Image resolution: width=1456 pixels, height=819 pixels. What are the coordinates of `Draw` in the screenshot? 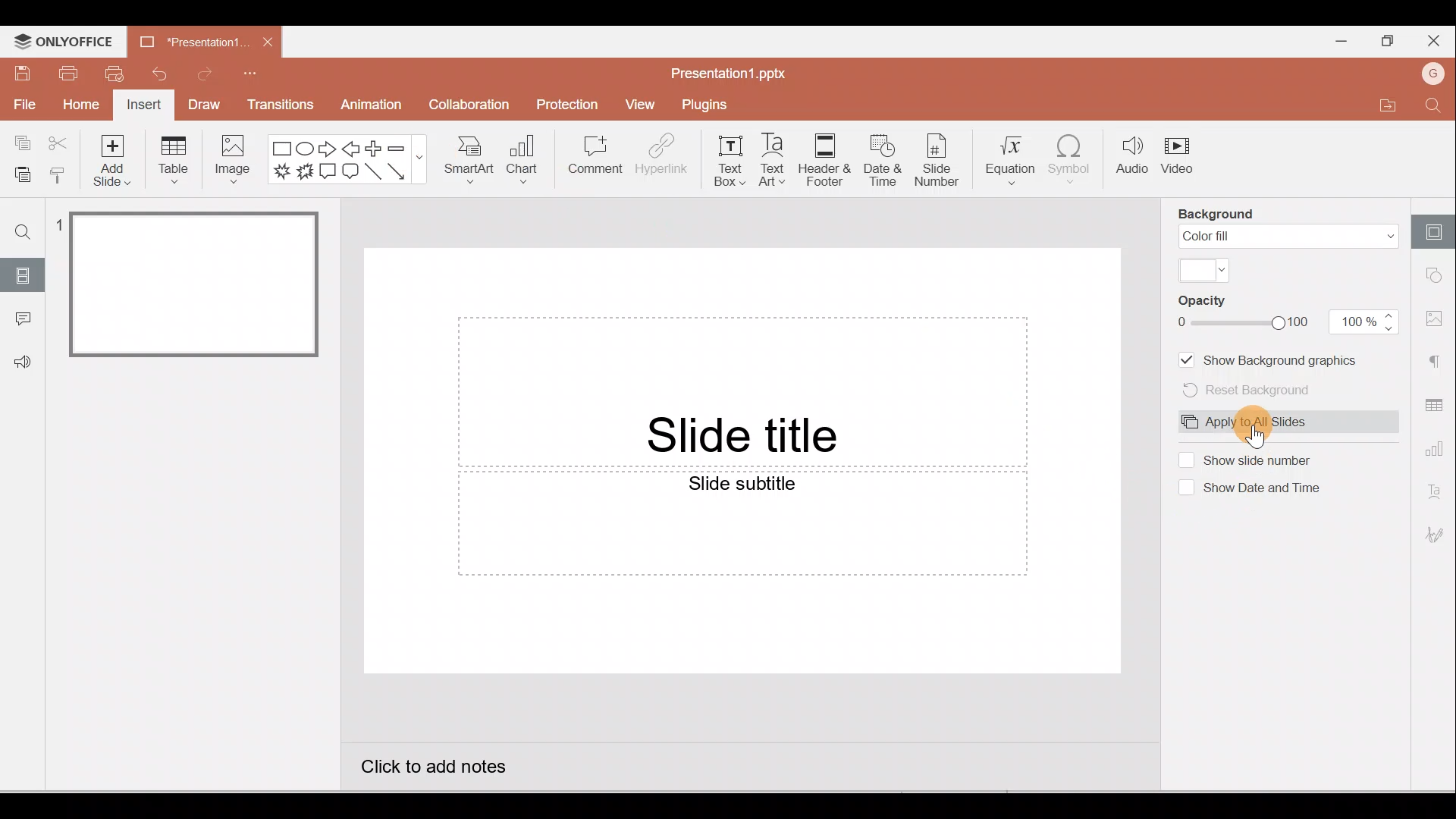 It's located at (206, 107).